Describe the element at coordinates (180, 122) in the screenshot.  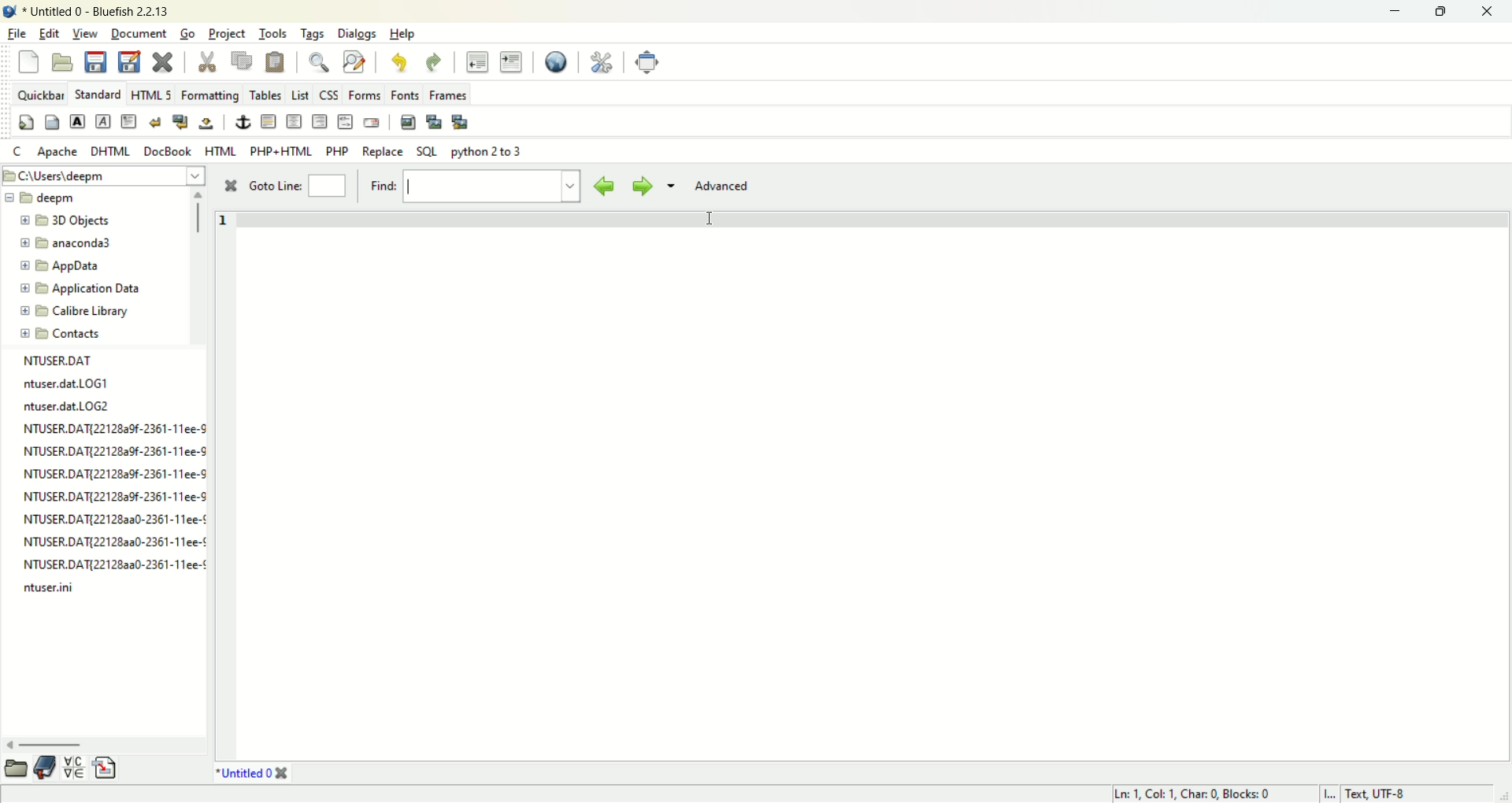
I see `break and clear` at that location.